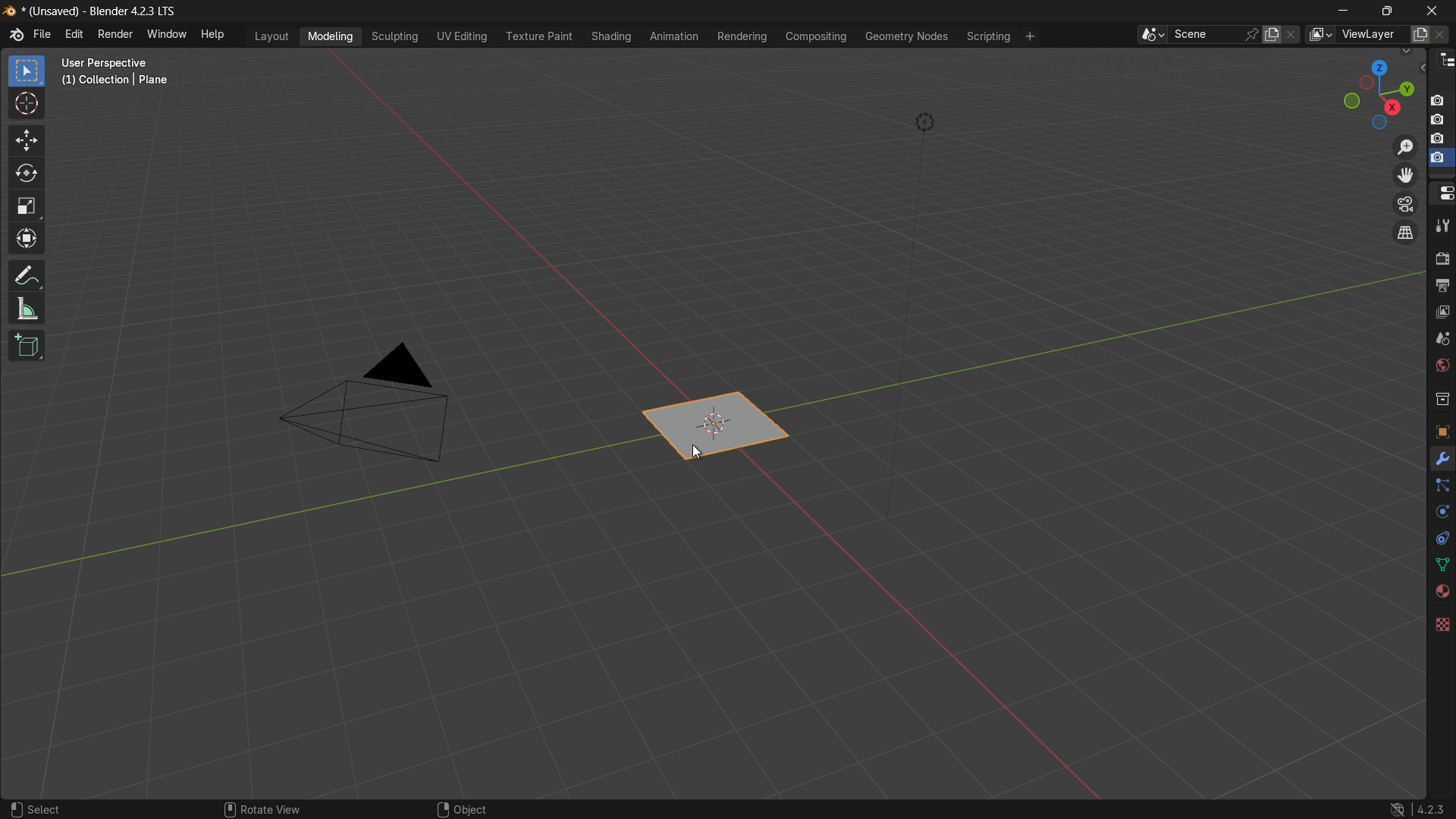 The height and width of the screenshot is (819, 1456). What do you see at coordinates (1441, 565) in the screenshot?
I see `data` at bounding box center [1441, 565].